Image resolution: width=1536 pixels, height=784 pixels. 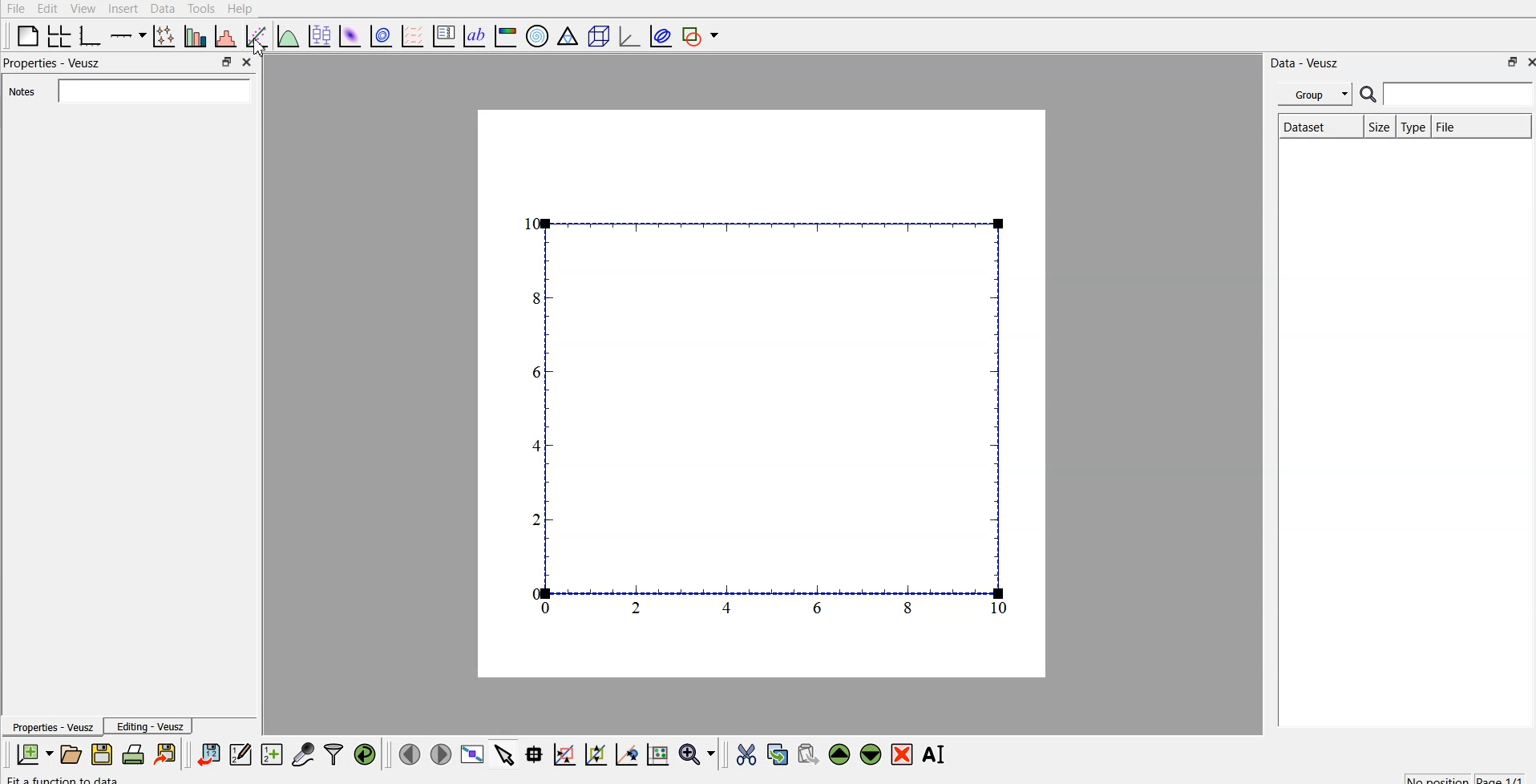 What do you see at coordinates (200, 7) in the screenshot?
I see `tools` at bounding box center [200, 7].